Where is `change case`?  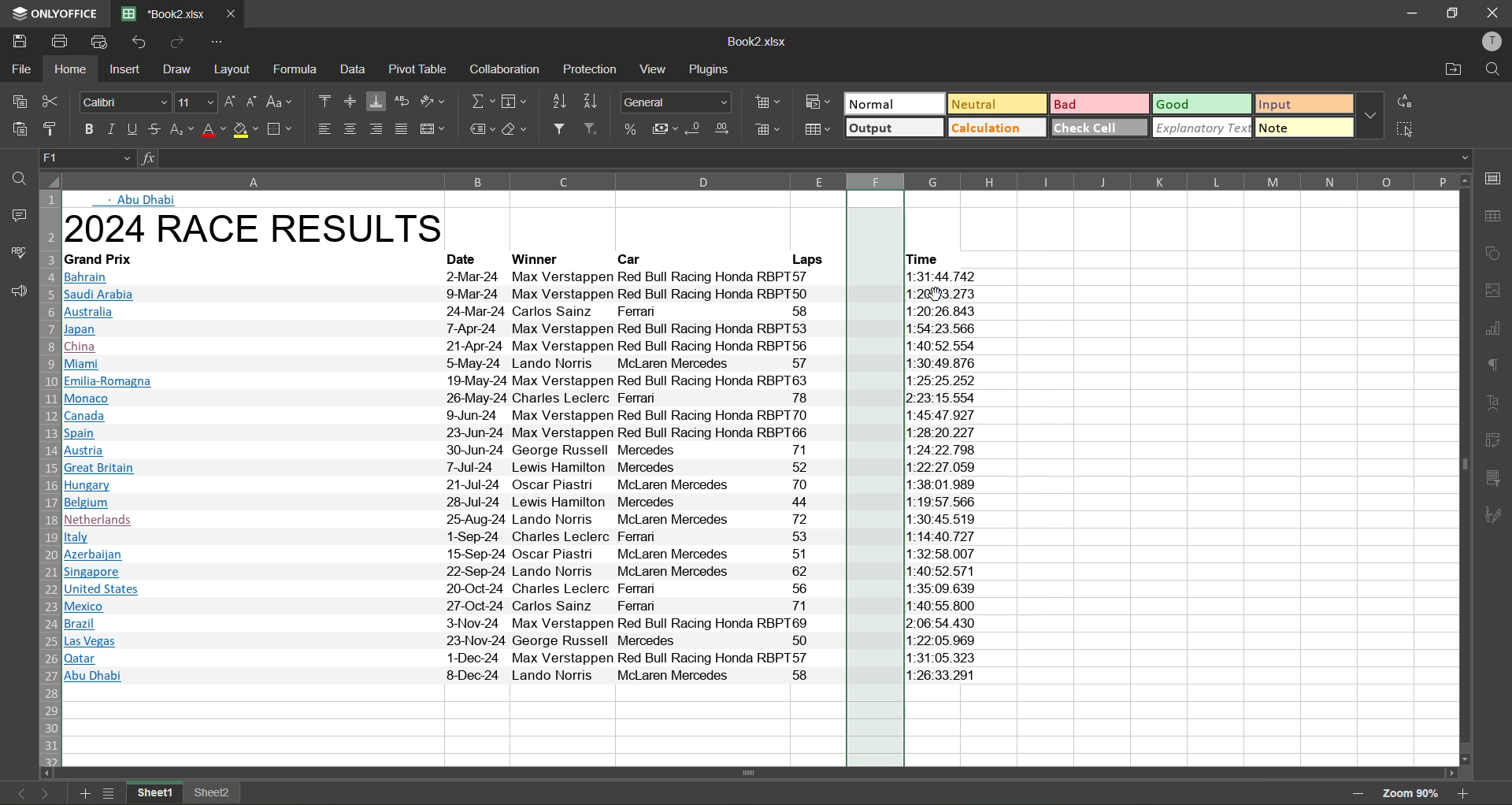 change case is located at coordinates (280, 102).